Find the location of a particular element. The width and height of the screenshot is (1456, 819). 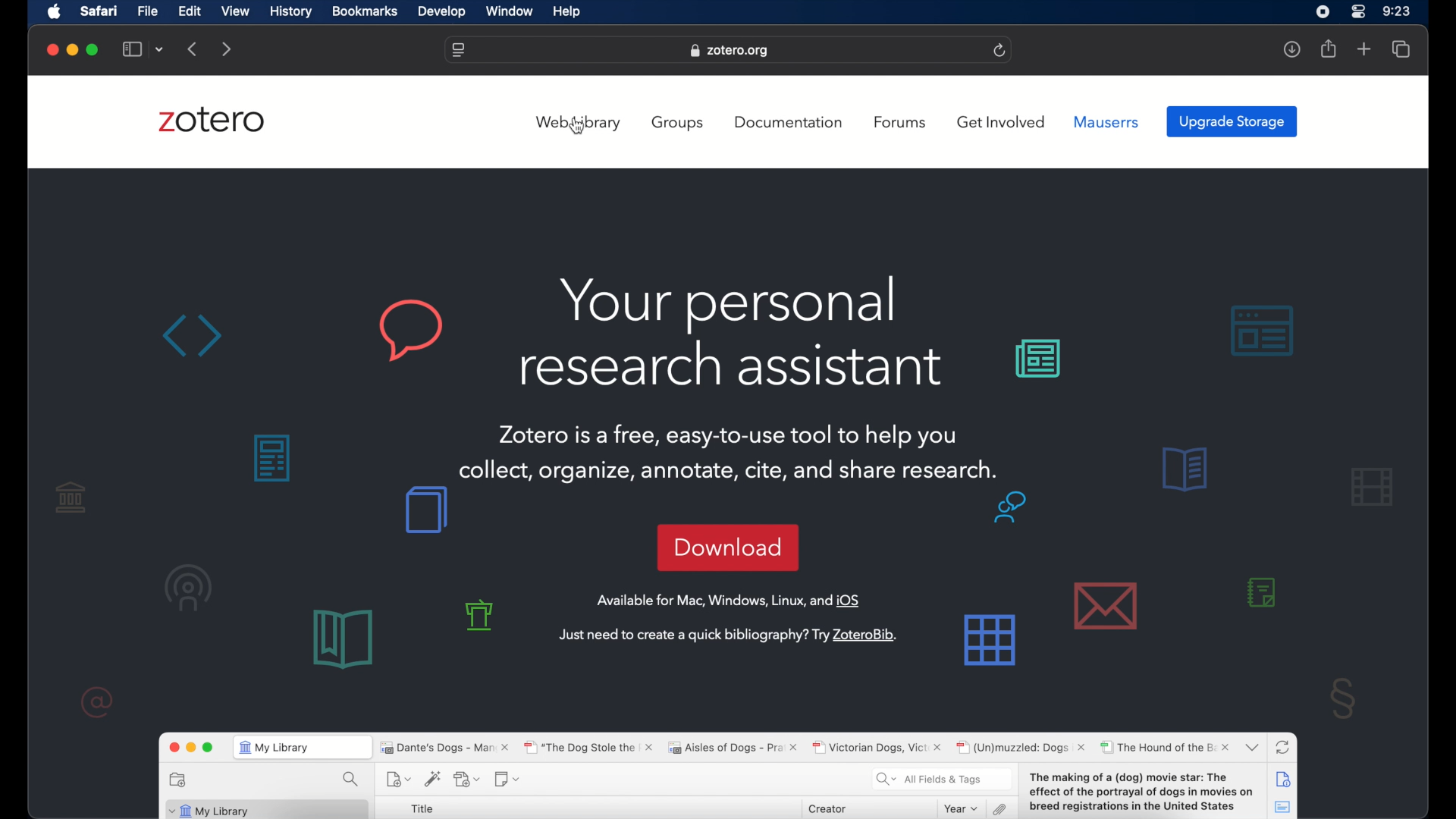

view is located at coordinates (236, 11).